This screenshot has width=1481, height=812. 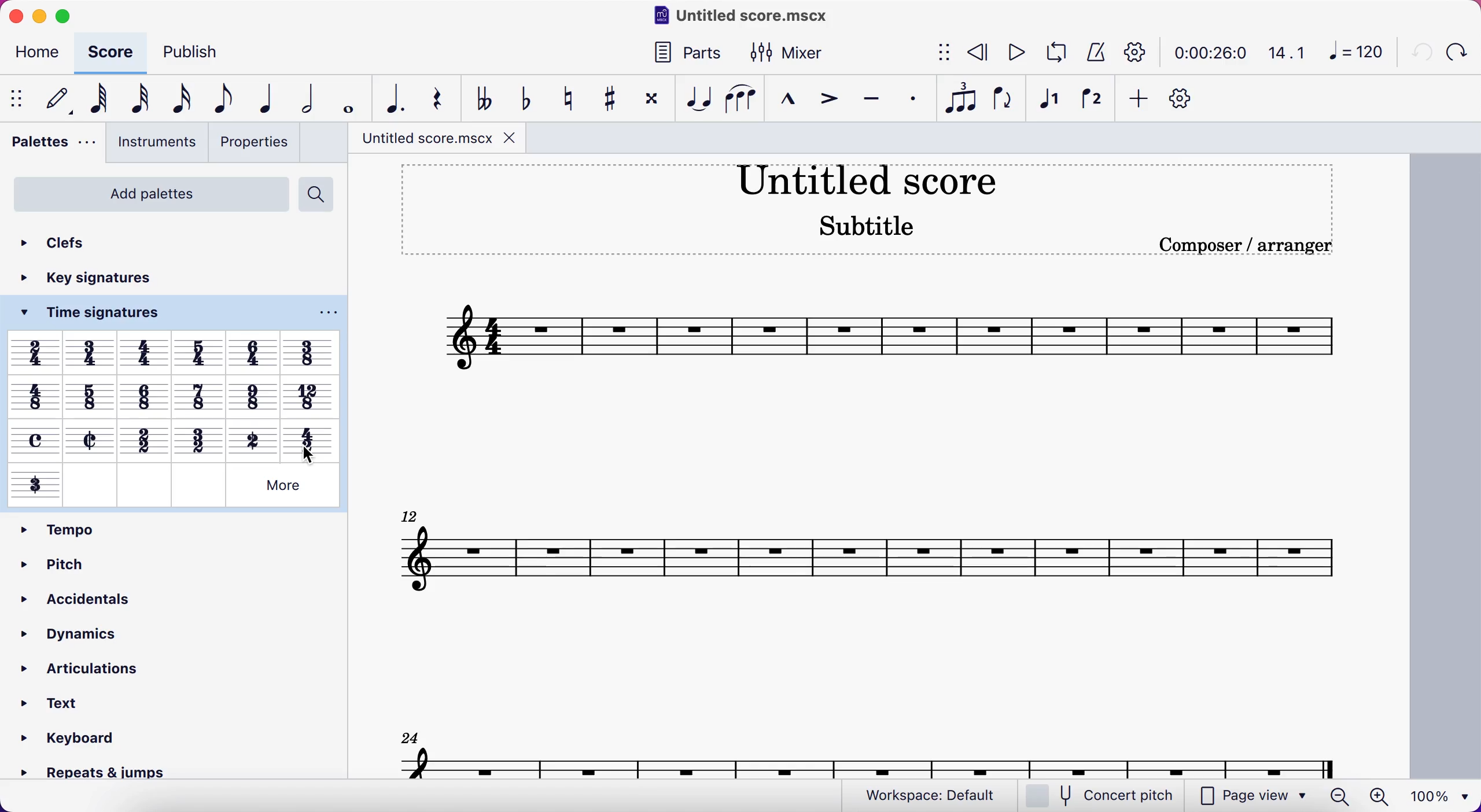 I want to click on » Repeats & jumps, so click(x=83, y=775).